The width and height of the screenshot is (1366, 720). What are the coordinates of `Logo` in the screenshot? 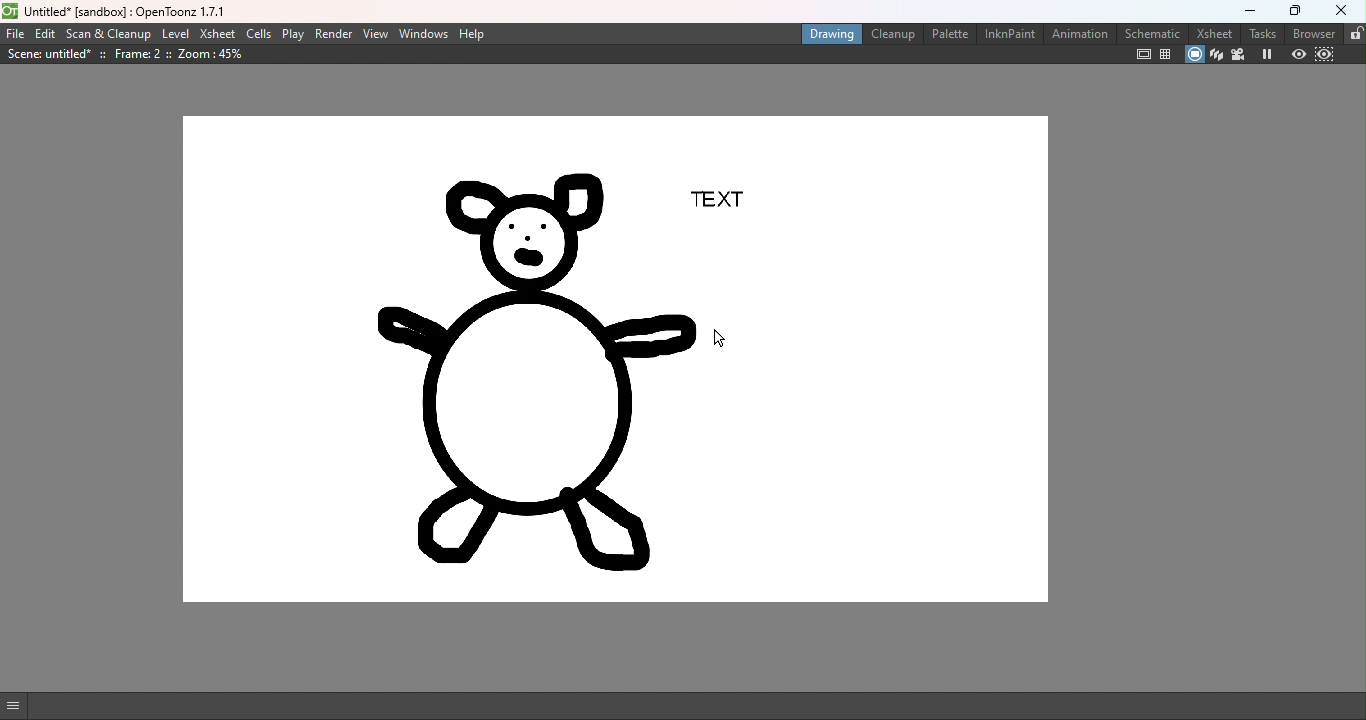 It's located at (14, 10).